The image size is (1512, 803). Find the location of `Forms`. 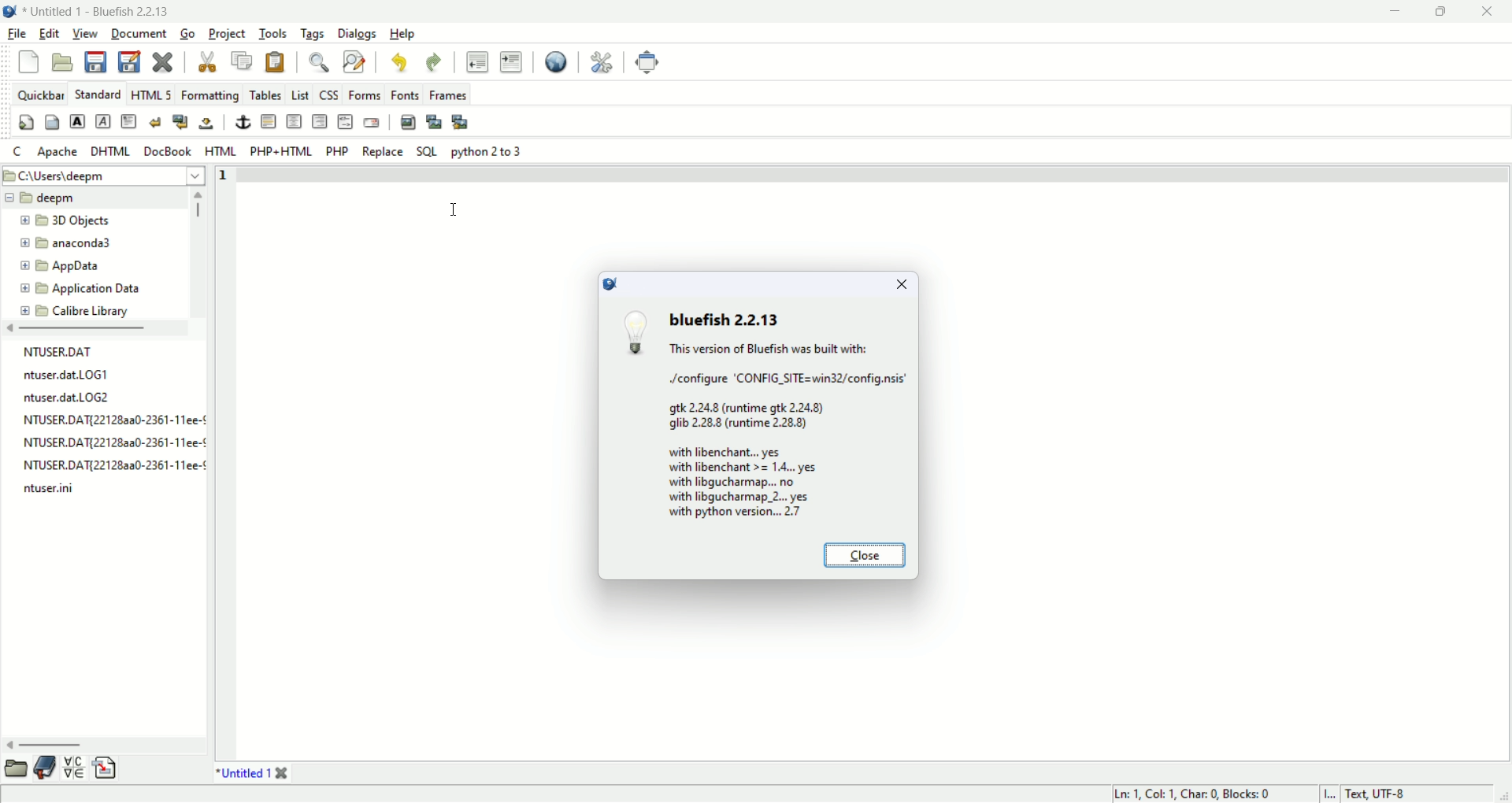

Forms is located at coordinates (365, 95).